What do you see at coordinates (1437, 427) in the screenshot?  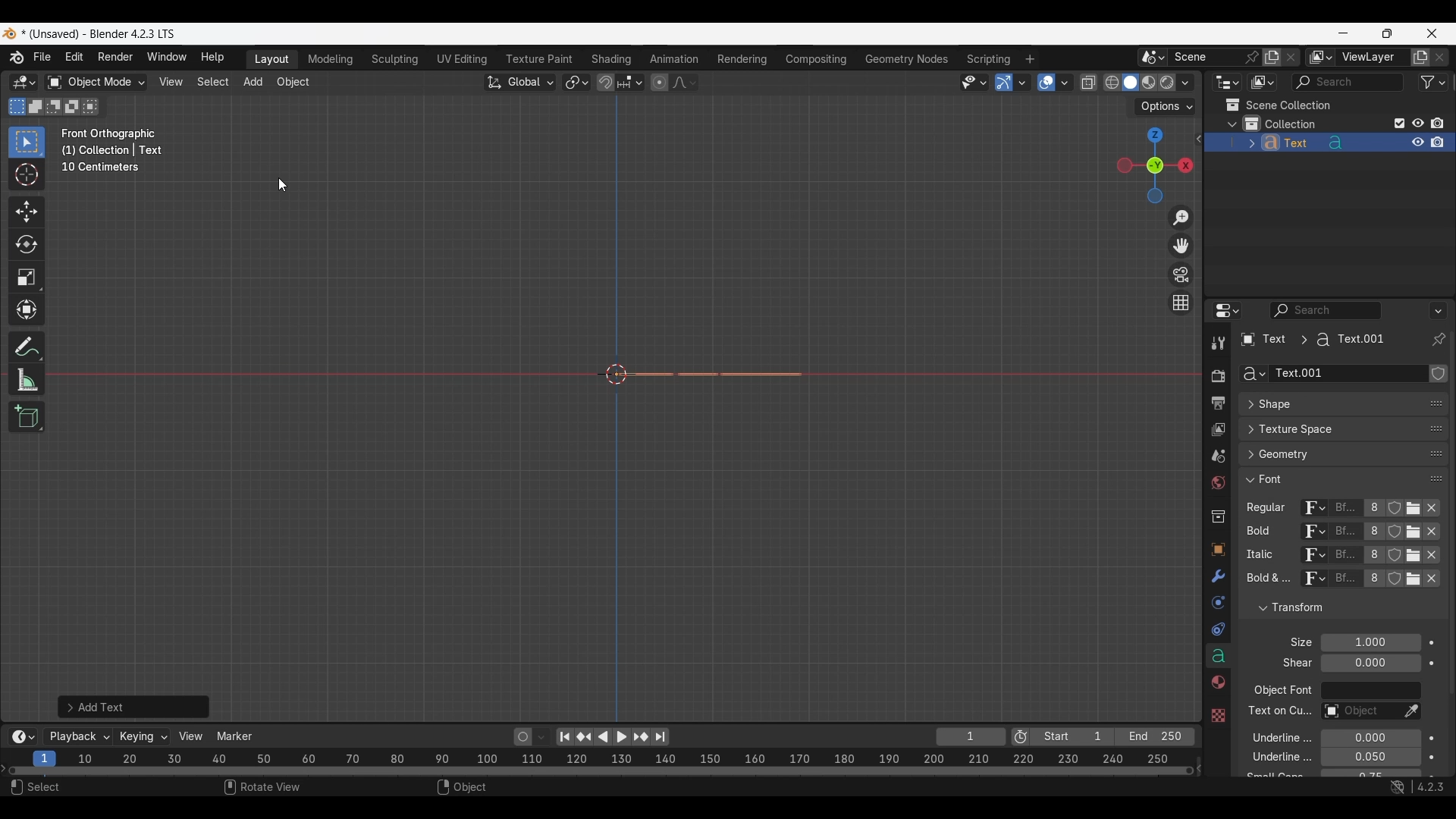 I see `change position` at bounding box center [1437, 427].